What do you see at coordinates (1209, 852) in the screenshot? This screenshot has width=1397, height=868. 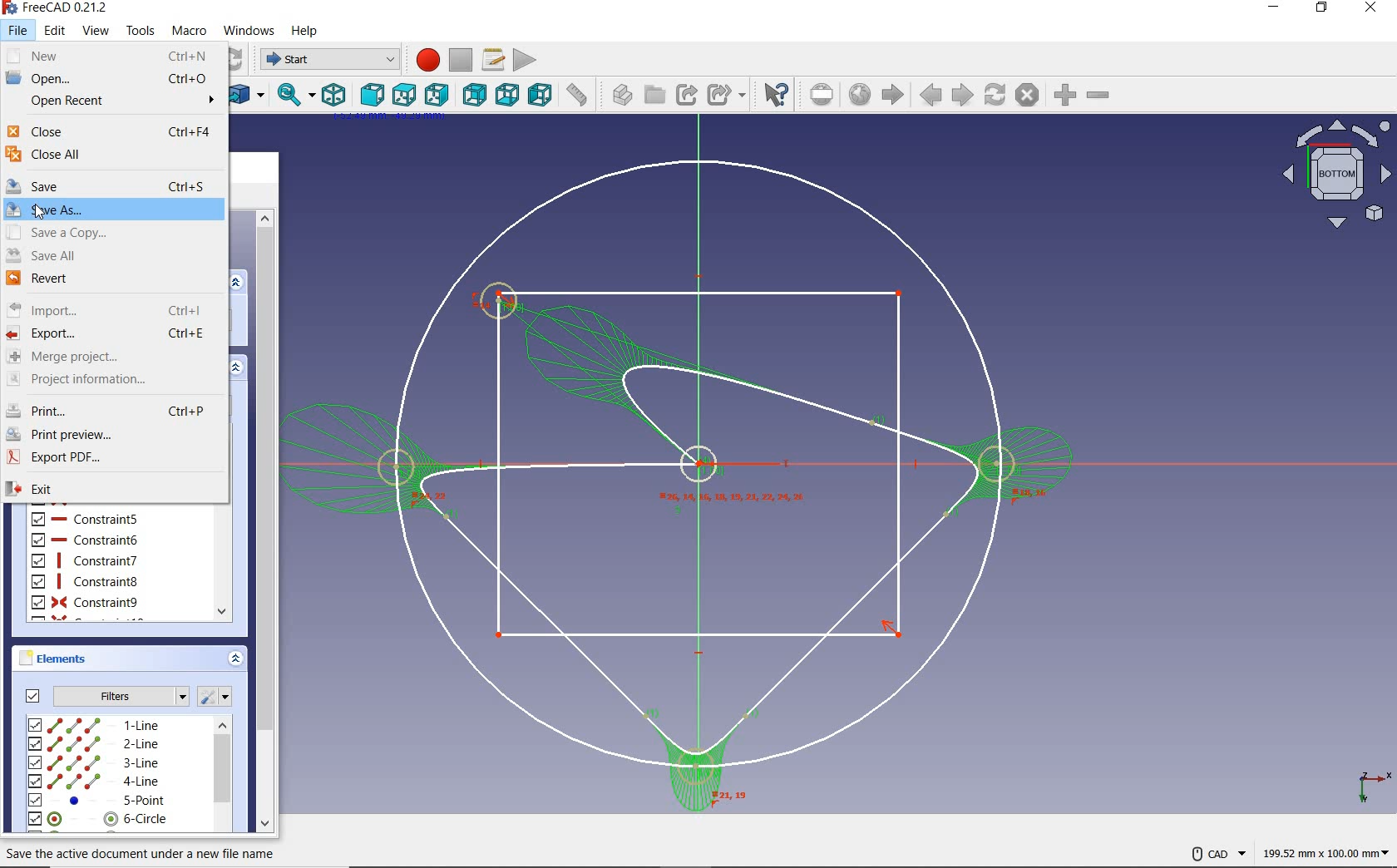 I see `CAD NAVIGATION STYLE` at bounding box center [1209, 852].